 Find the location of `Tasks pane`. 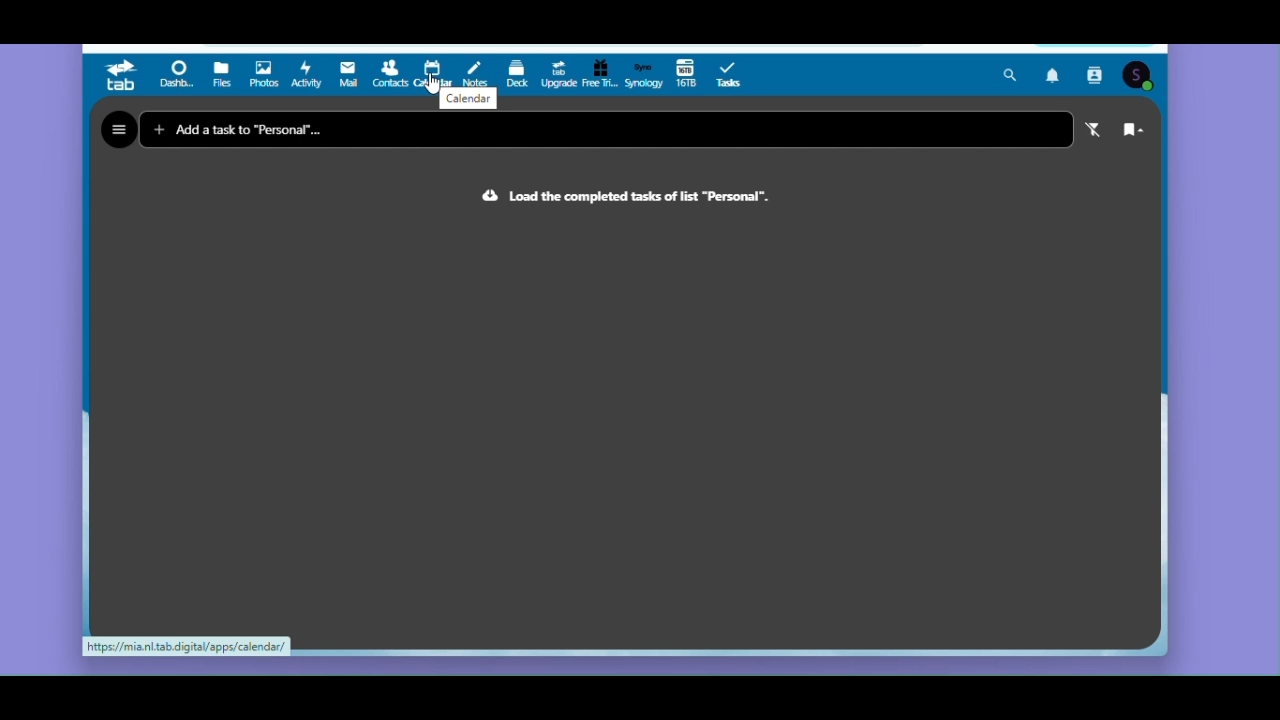

Tasks pane is located at coordinates (623, 426).